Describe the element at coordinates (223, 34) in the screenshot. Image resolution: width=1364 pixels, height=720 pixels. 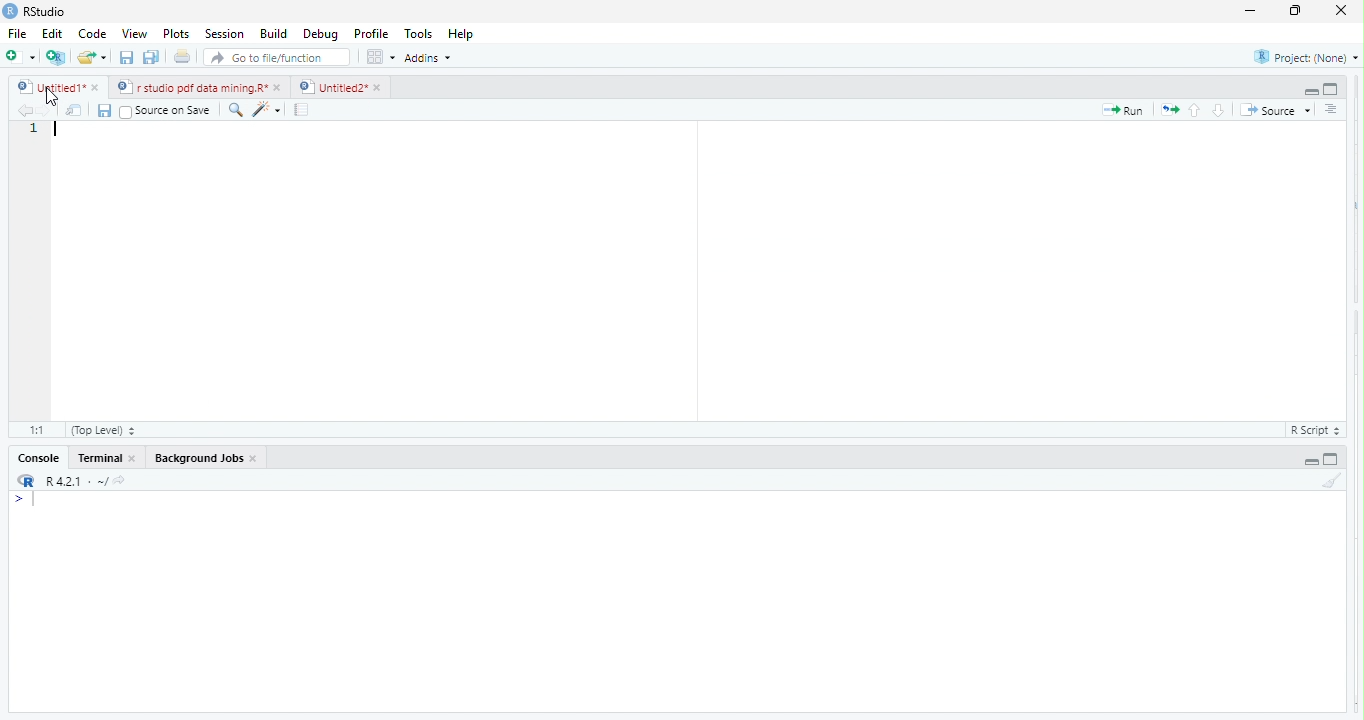
I see `‘Session` at that location.